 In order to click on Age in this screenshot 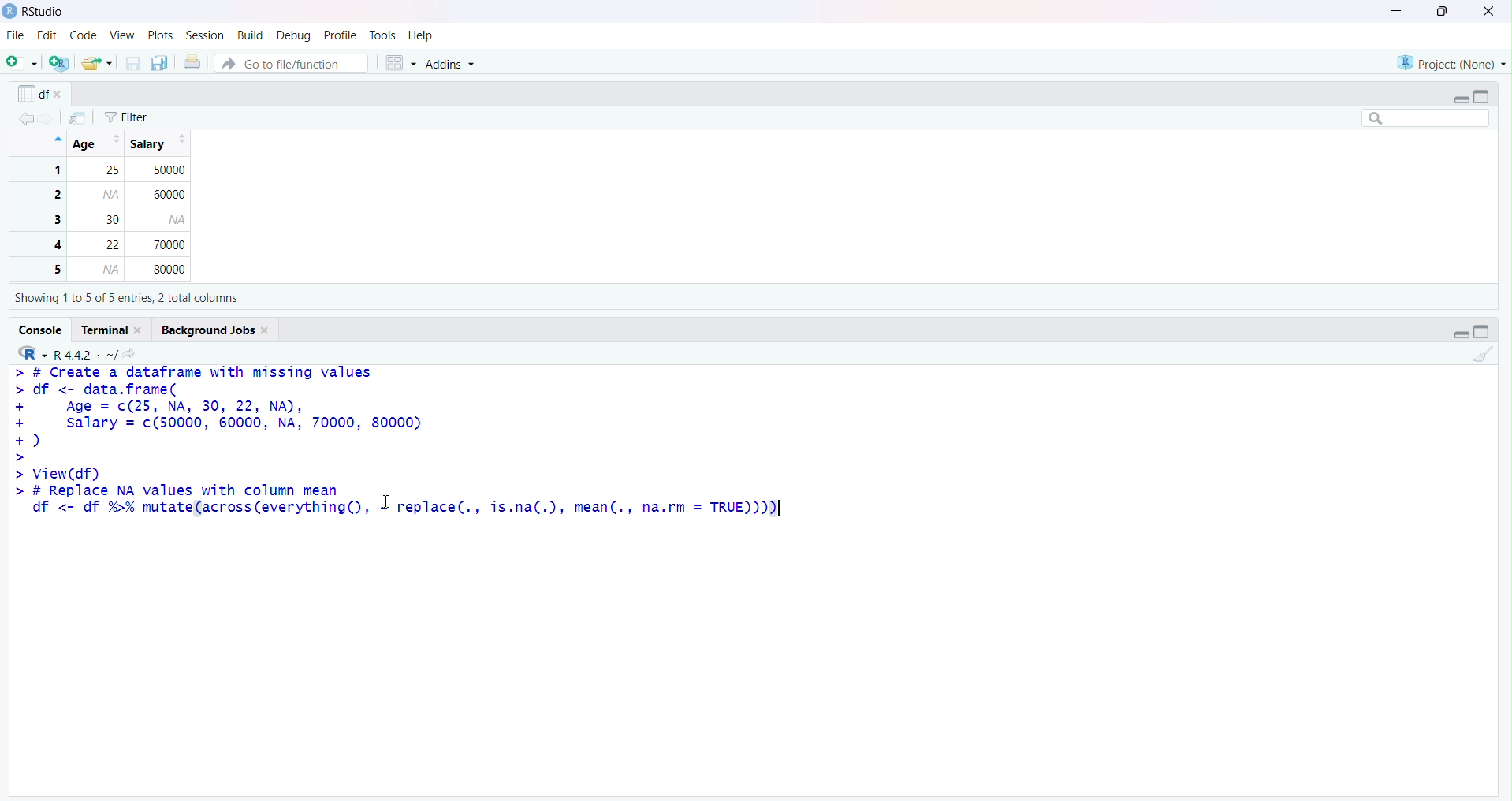, I will do `click(96, 144)`.